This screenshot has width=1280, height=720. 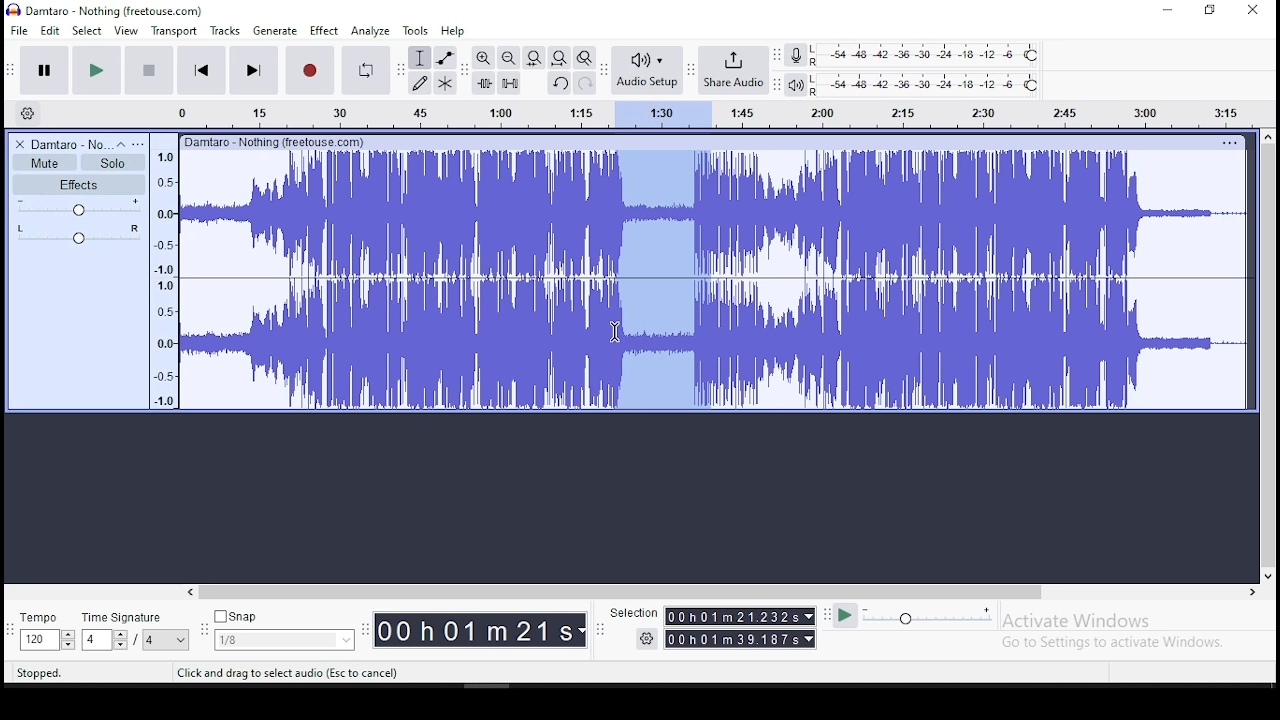 What do you see at coordinates (421, 58) in the screenshot?
I see `selection tool` at bounding box center [421, 58].